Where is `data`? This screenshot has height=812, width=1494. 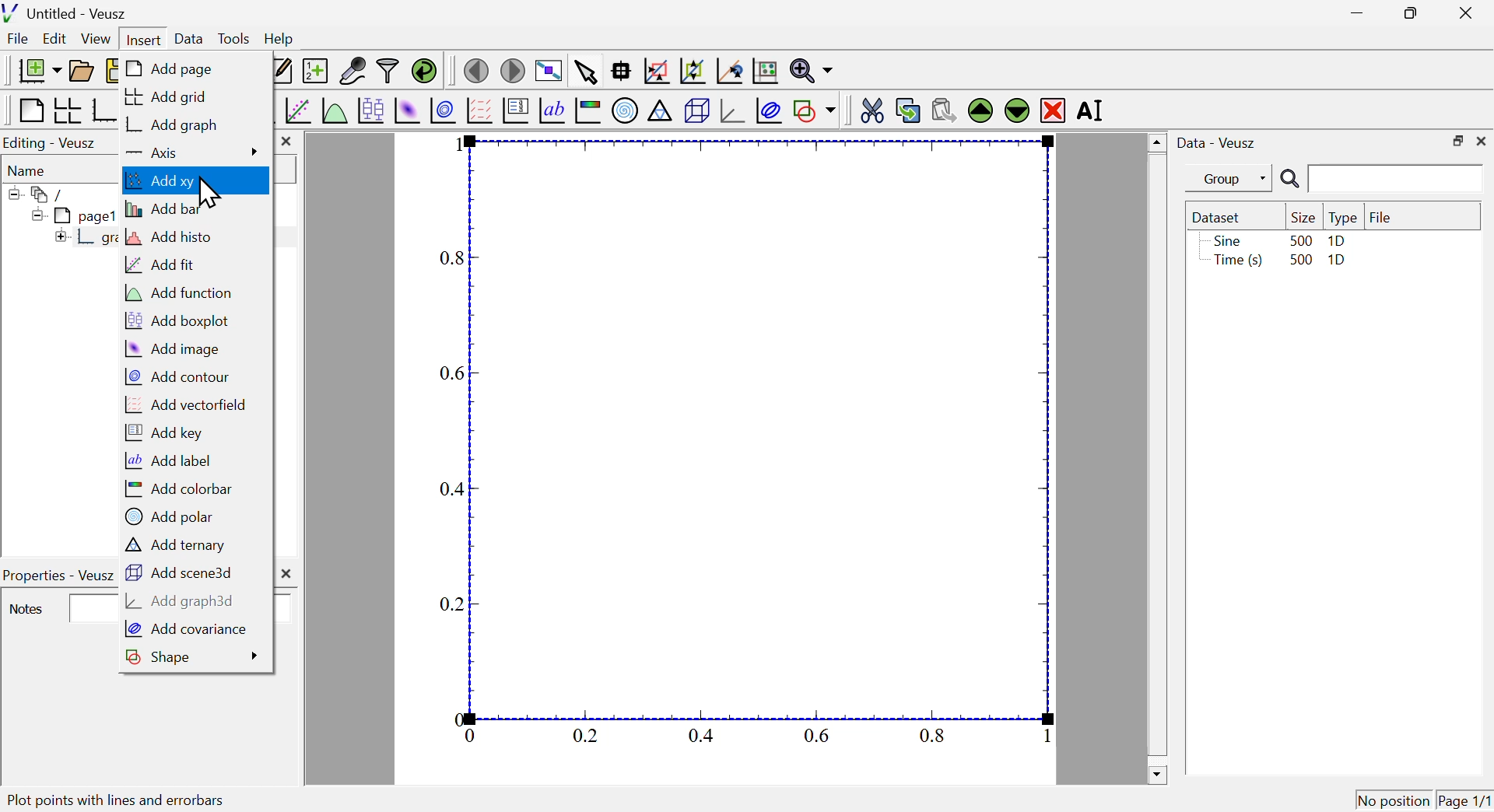 data is located at coordinates (190, 38).